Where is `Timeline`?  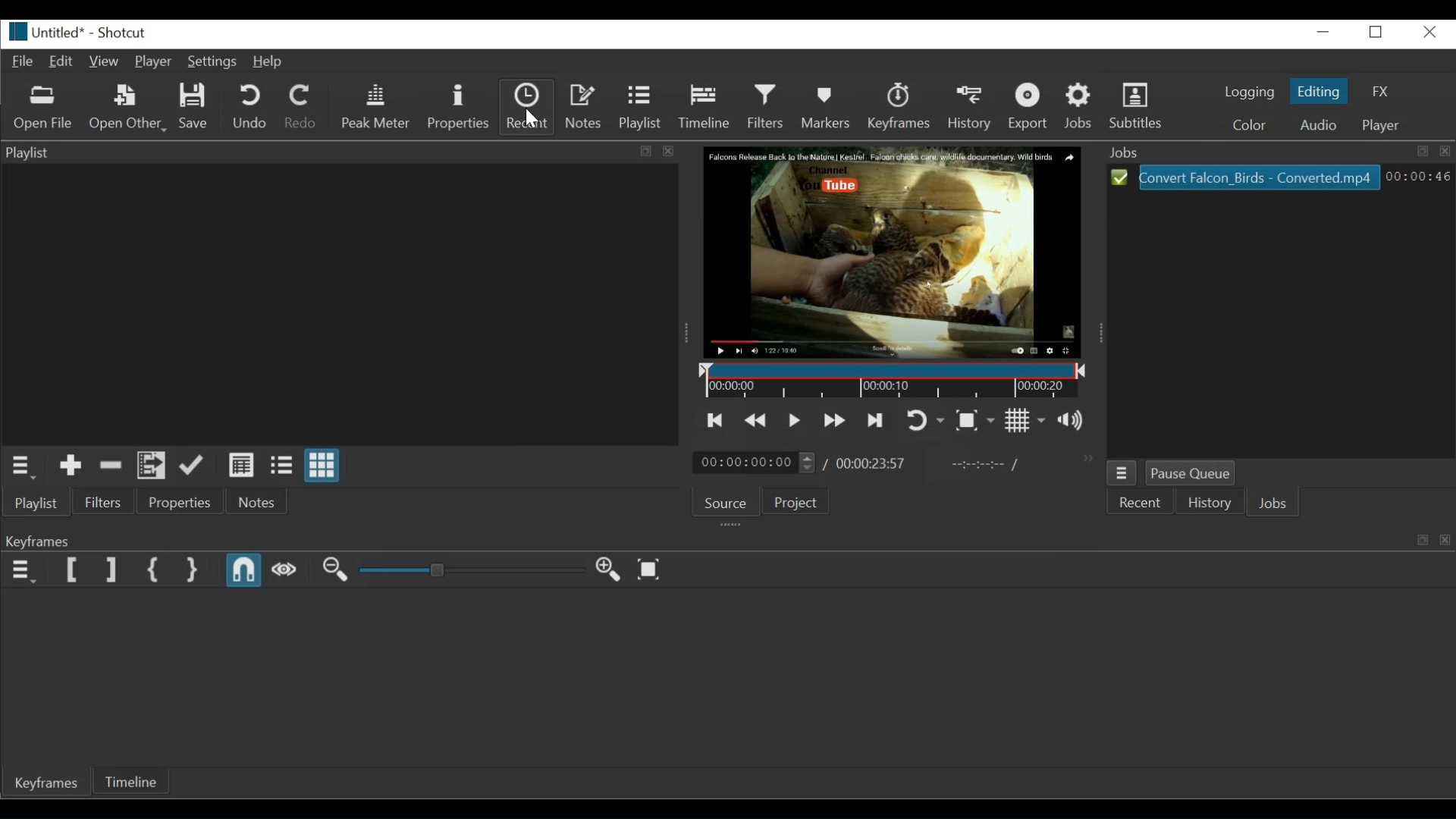
Timeline is located at coordinates (890, 380).